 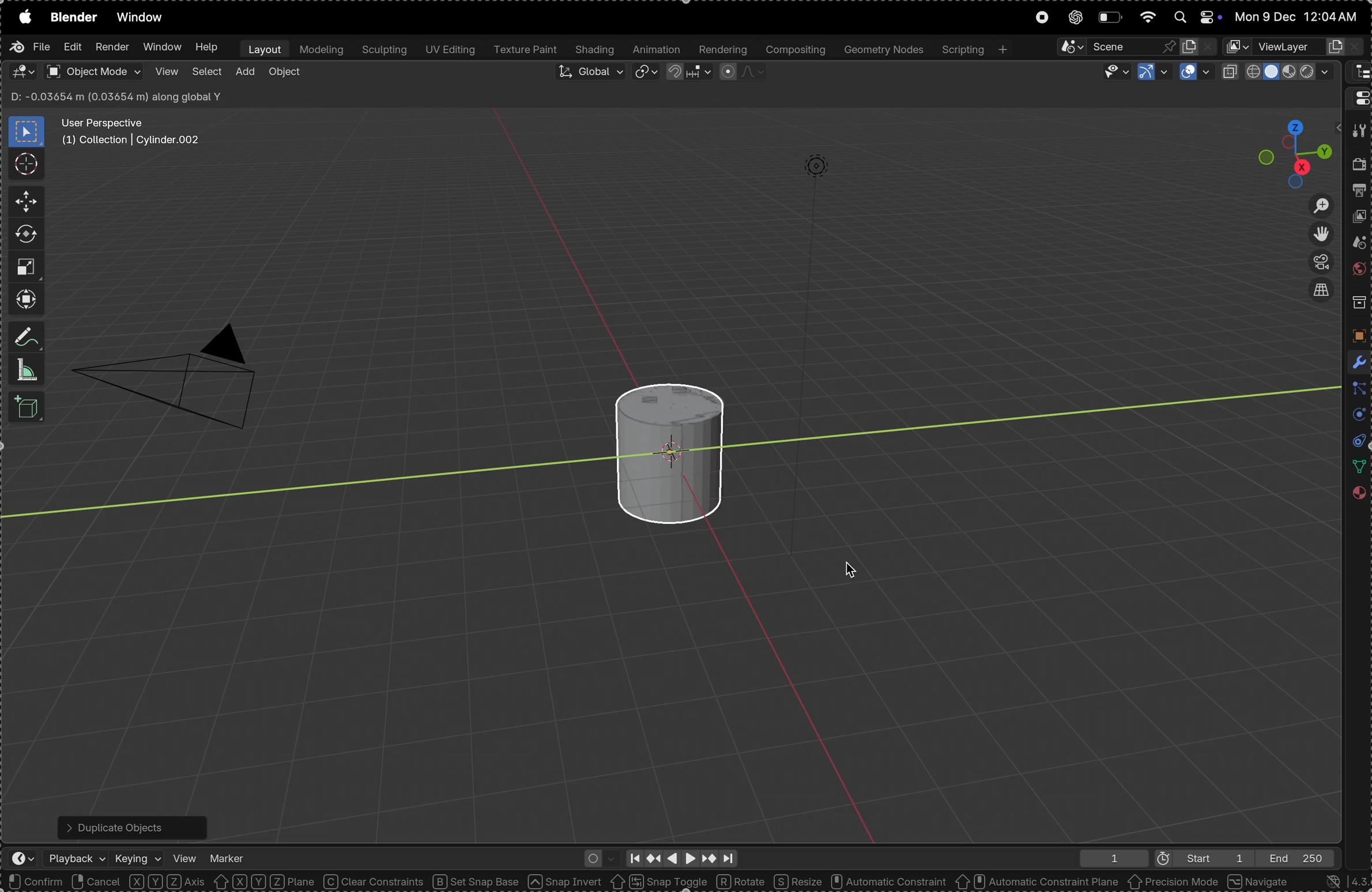 I want to click on tool, so click(x=1358, y=131).